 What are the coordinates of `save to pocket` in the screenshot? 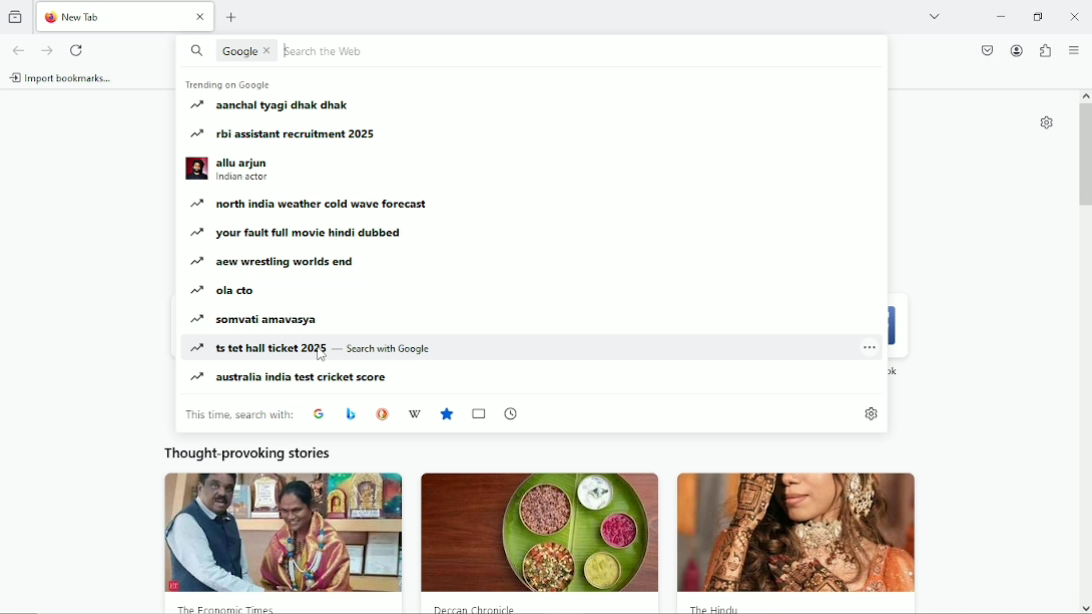 It's located at (988, 50).